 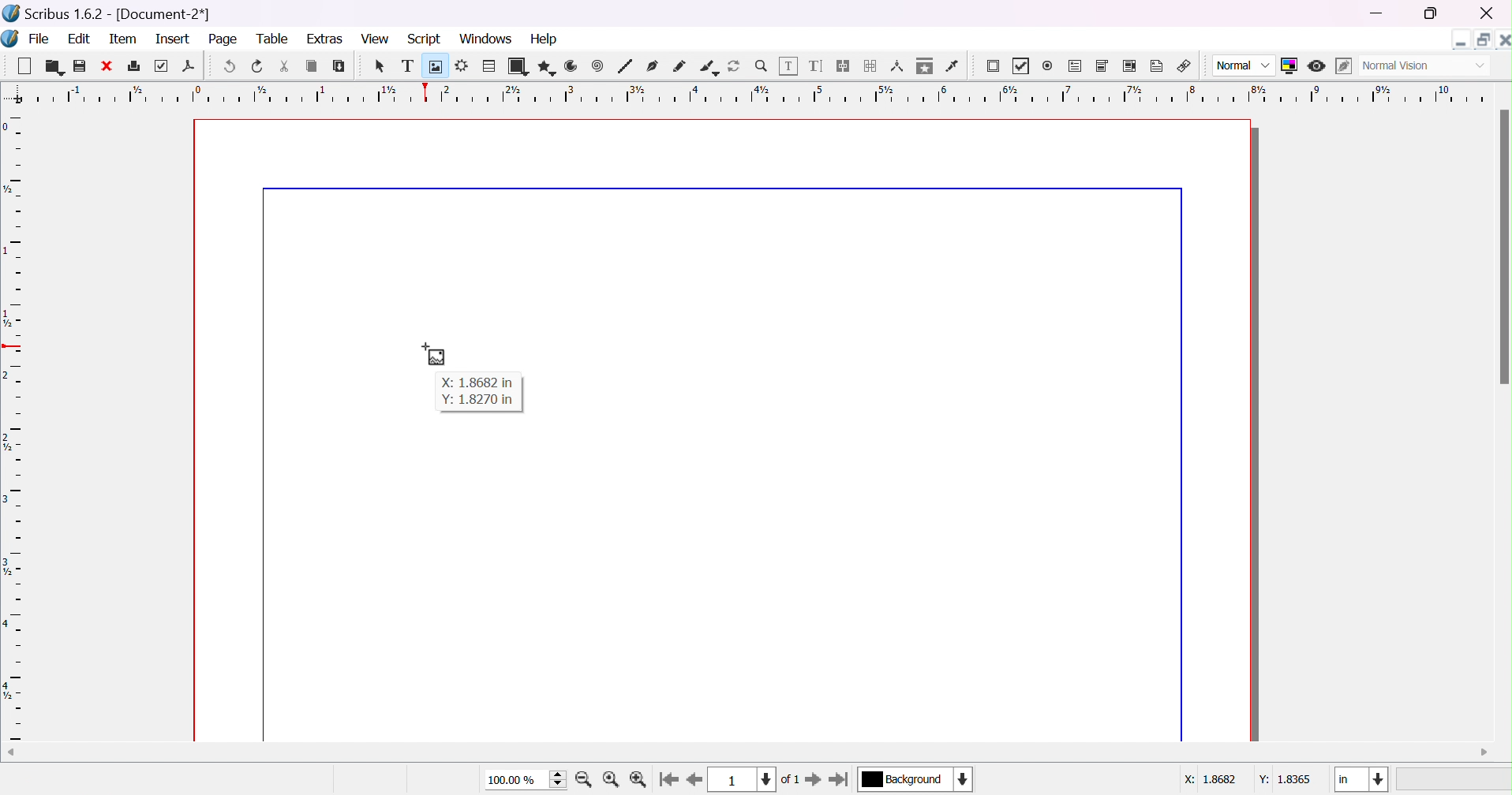 I want to click on restore down, so click(x=1432, y=15).